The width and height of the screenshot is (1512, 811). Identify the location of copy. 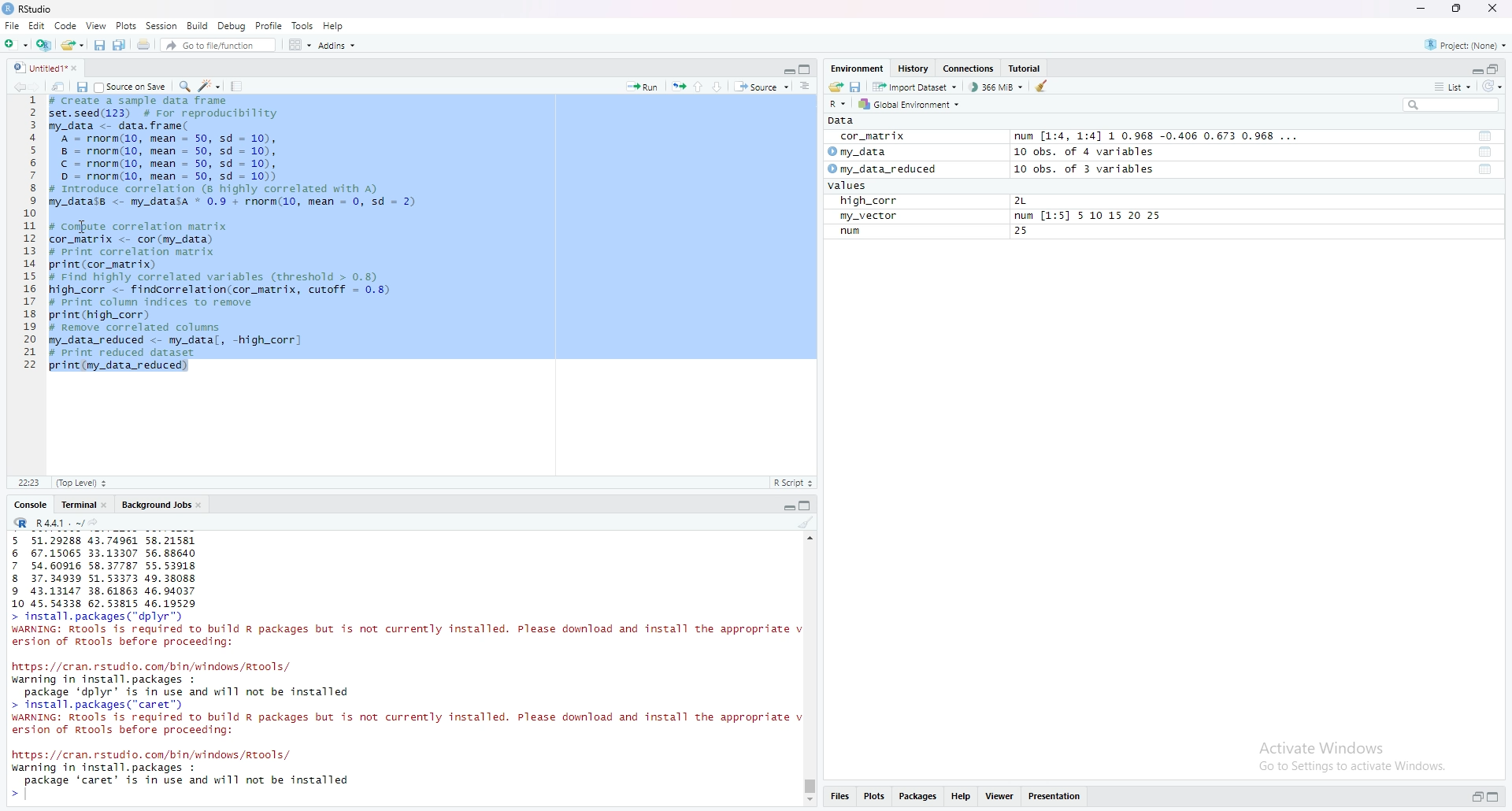
(806, 505).